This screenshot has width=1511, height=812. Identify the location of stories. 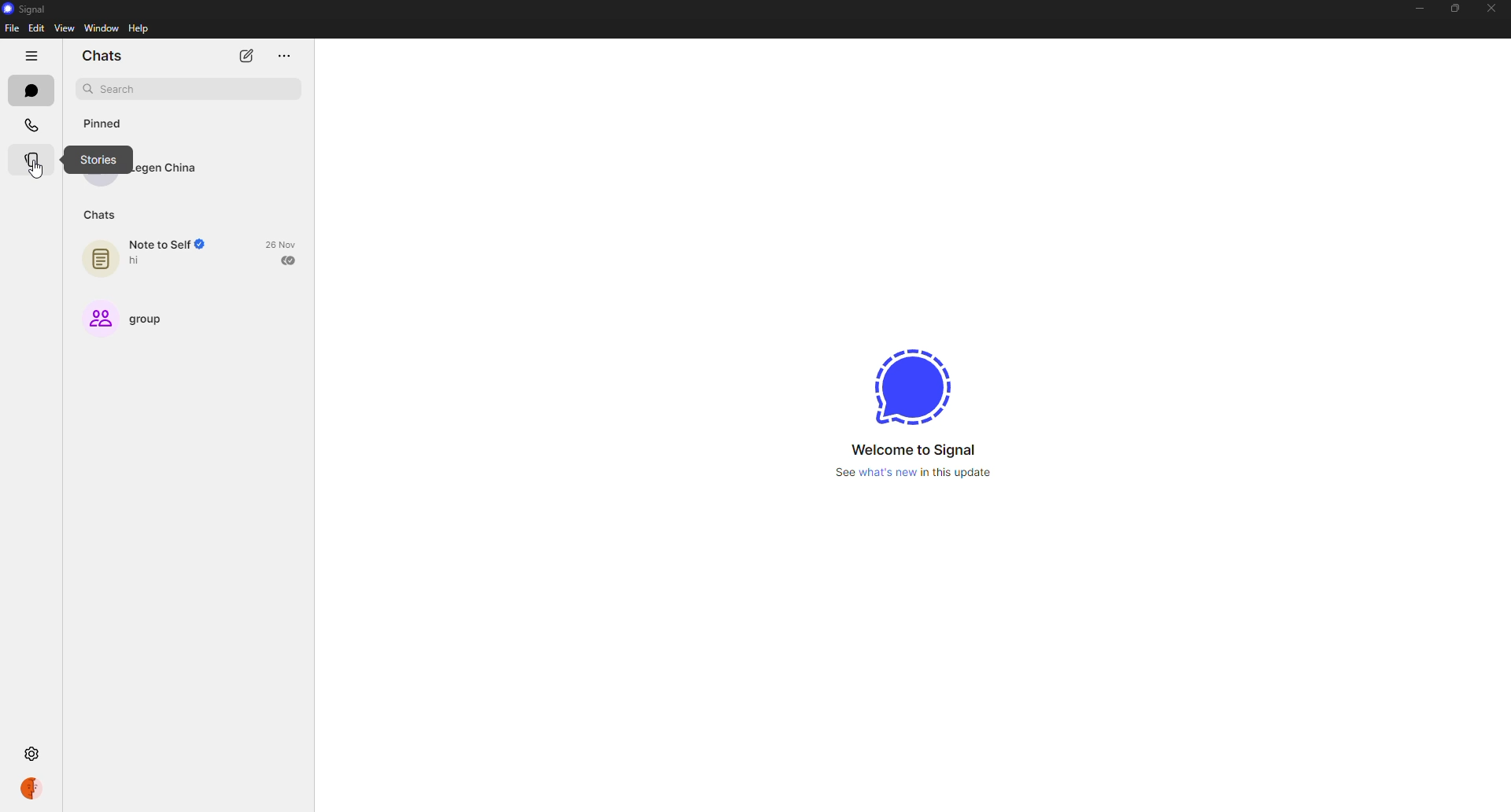
(35, 160).